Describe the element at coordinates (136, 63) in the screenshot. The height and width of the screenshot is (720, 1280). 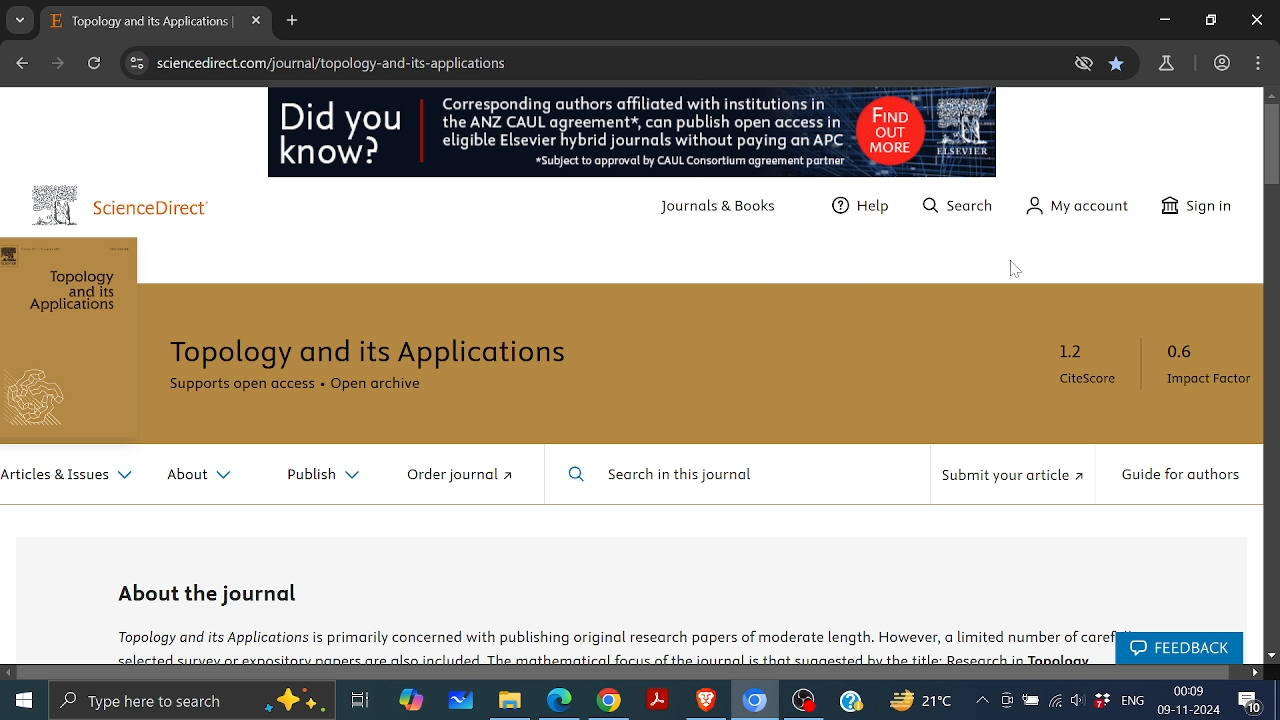
I see `Site information` at that location.